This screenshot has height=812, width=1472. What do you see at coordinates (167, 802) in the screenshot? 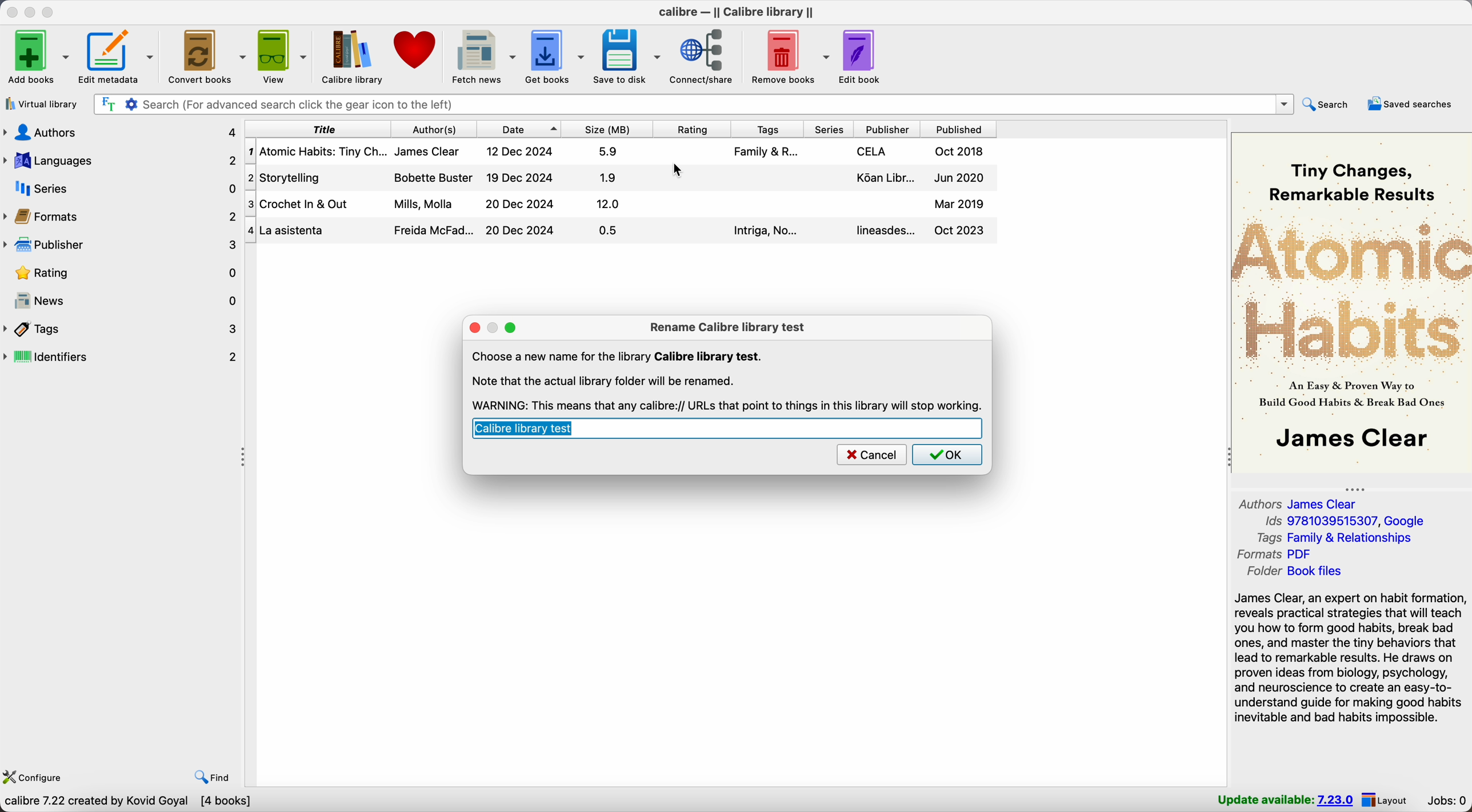
I see `Choose Calibre library to work with Calibre library [4 books]` at bounding box center [167, 802].